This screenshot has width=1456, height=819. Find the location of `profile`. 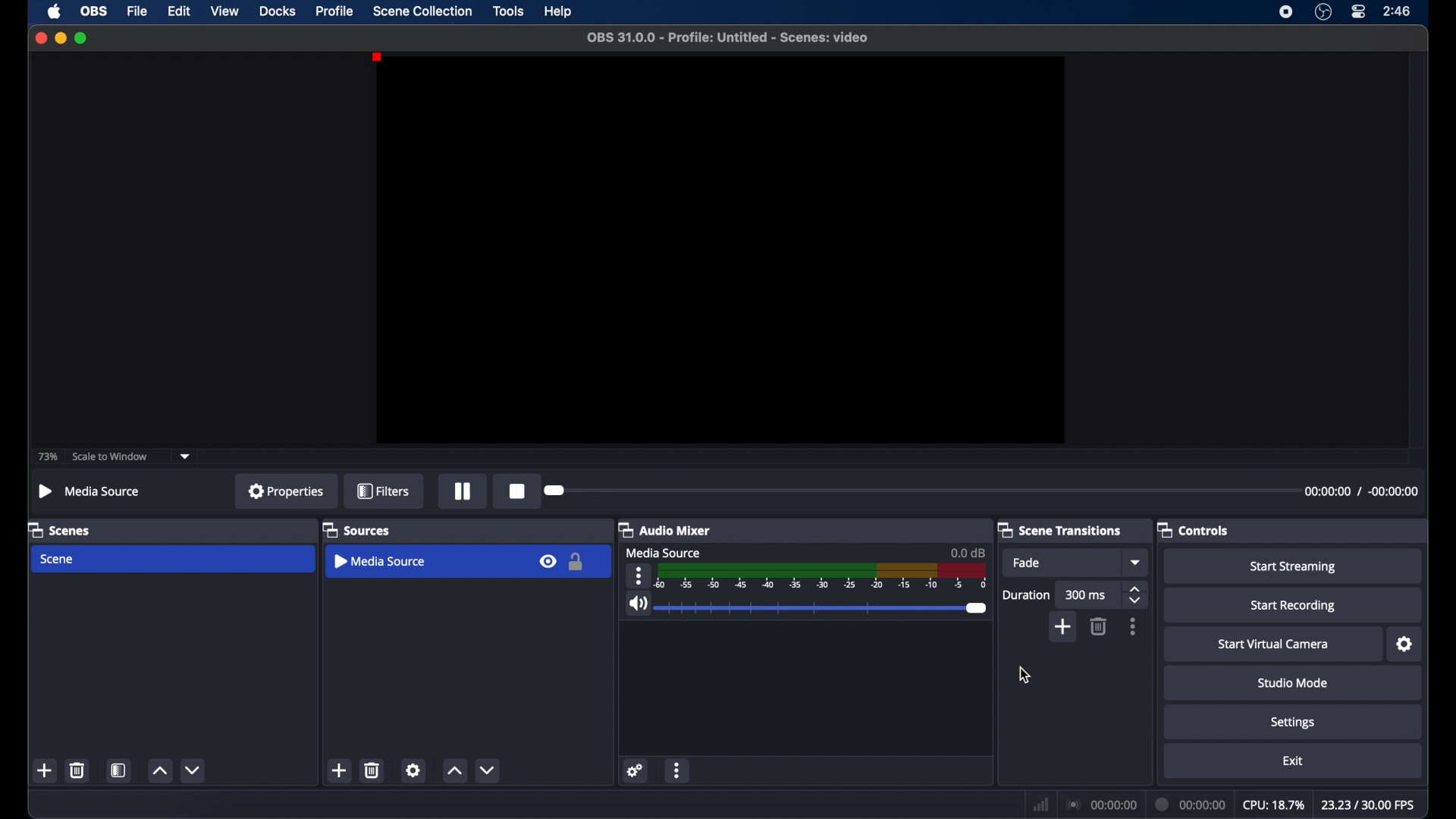

profile is located at coordinates (336, 11).